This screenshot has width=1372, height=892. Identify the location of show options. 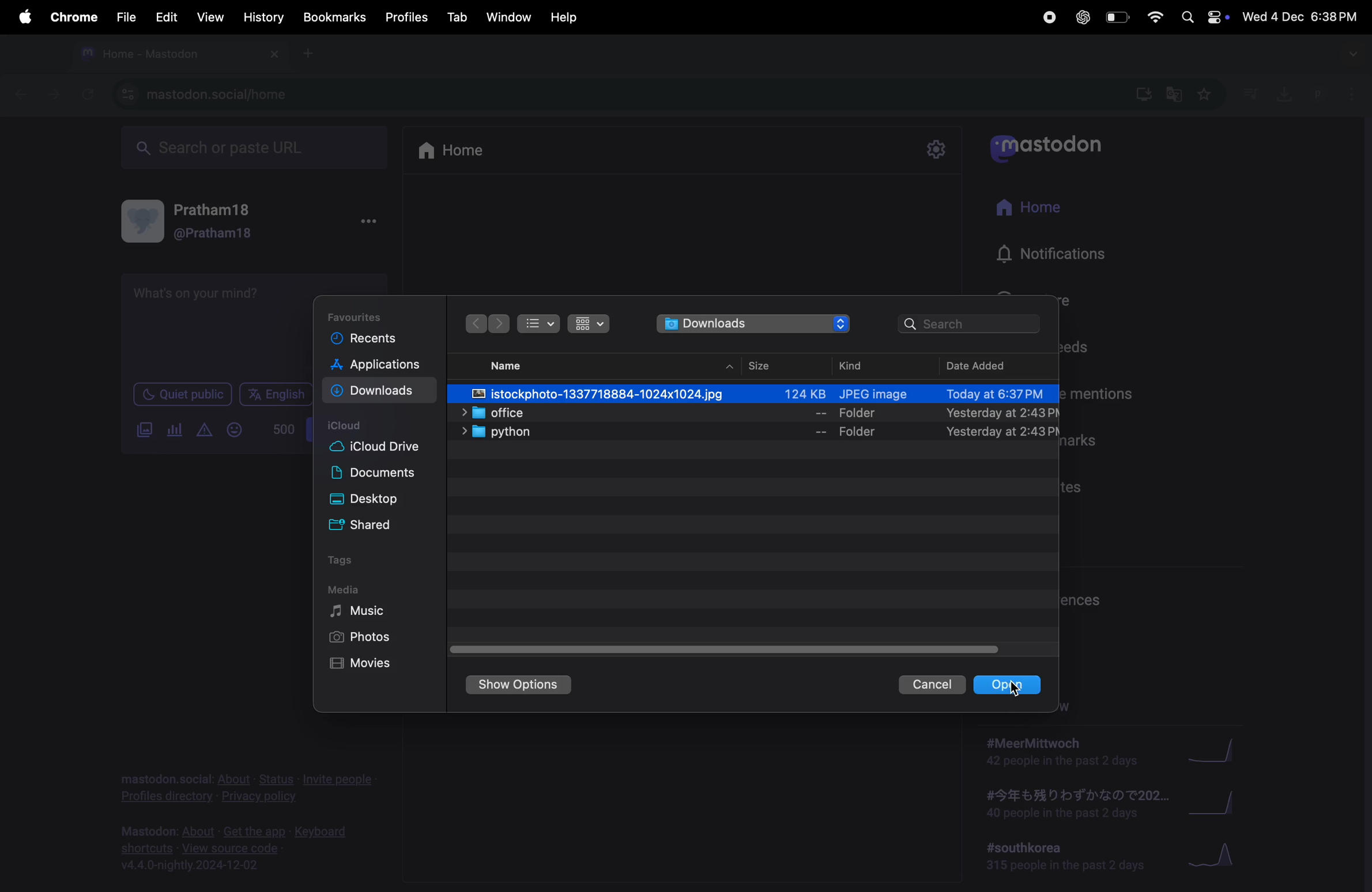
(520, 685).